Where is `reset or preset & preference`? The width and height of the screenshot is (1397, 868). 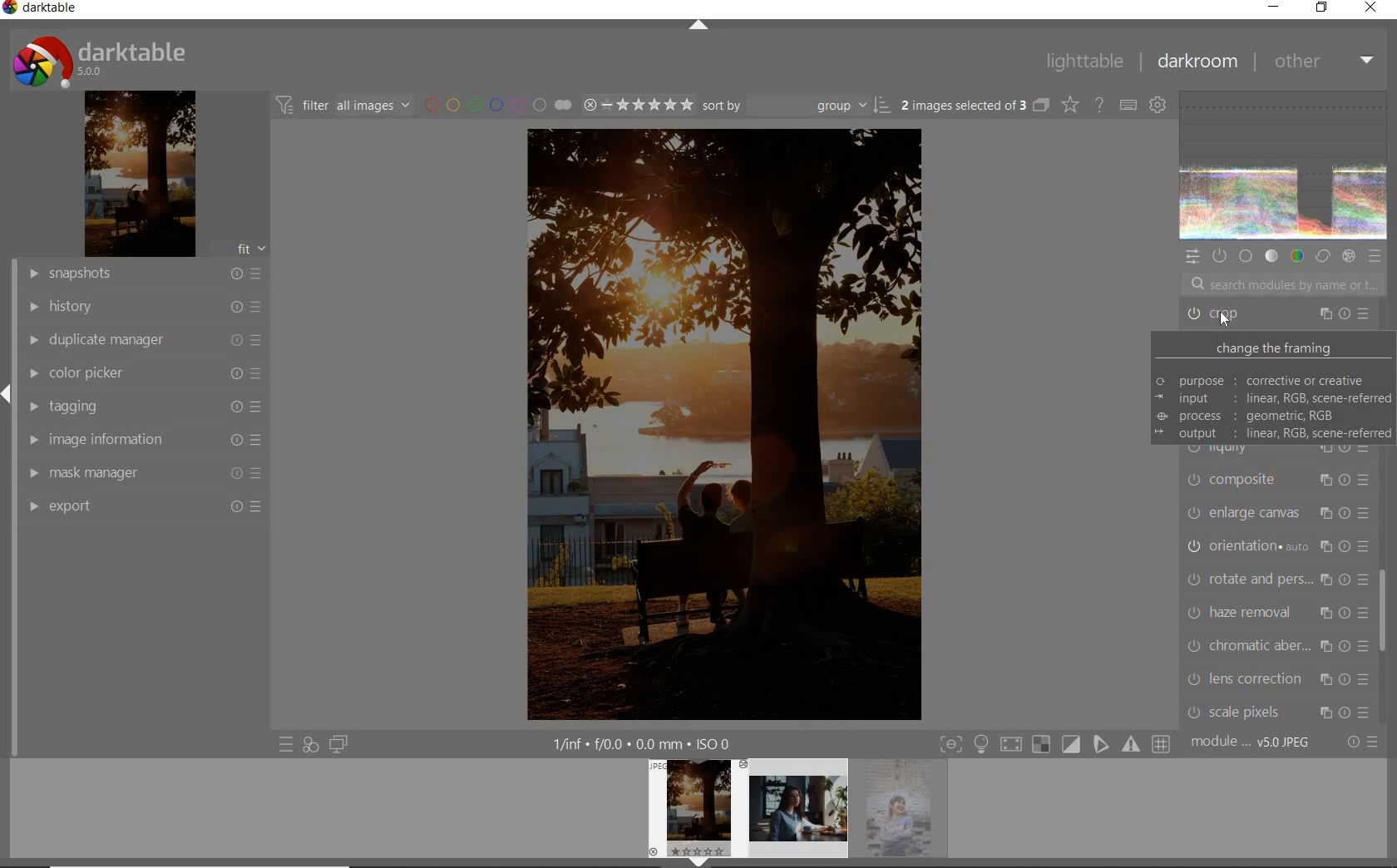
reset or preset & preference is located at coordinates (1363, 744).